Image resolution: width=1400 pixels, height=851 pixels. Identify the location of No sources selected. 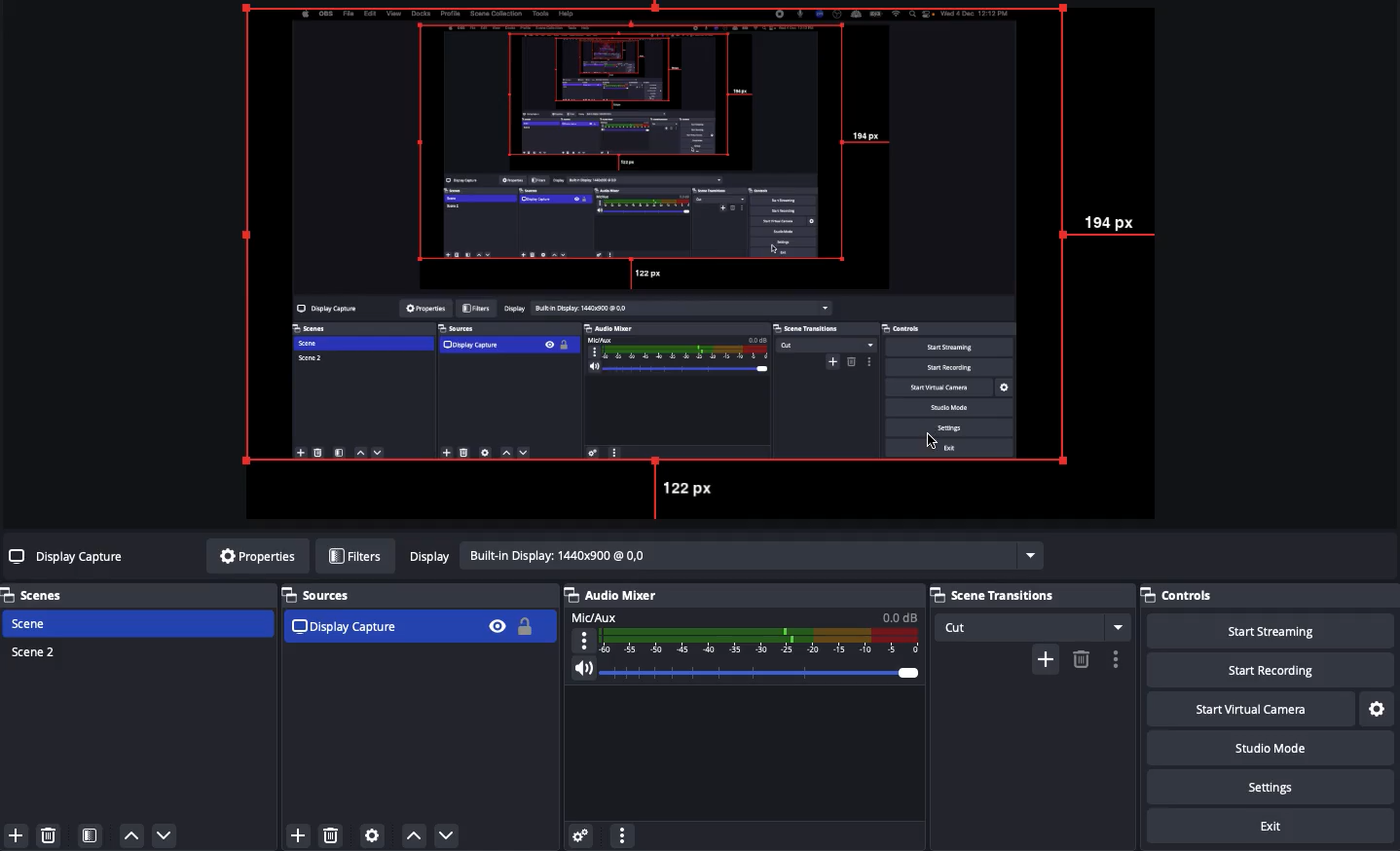
(68, 556).